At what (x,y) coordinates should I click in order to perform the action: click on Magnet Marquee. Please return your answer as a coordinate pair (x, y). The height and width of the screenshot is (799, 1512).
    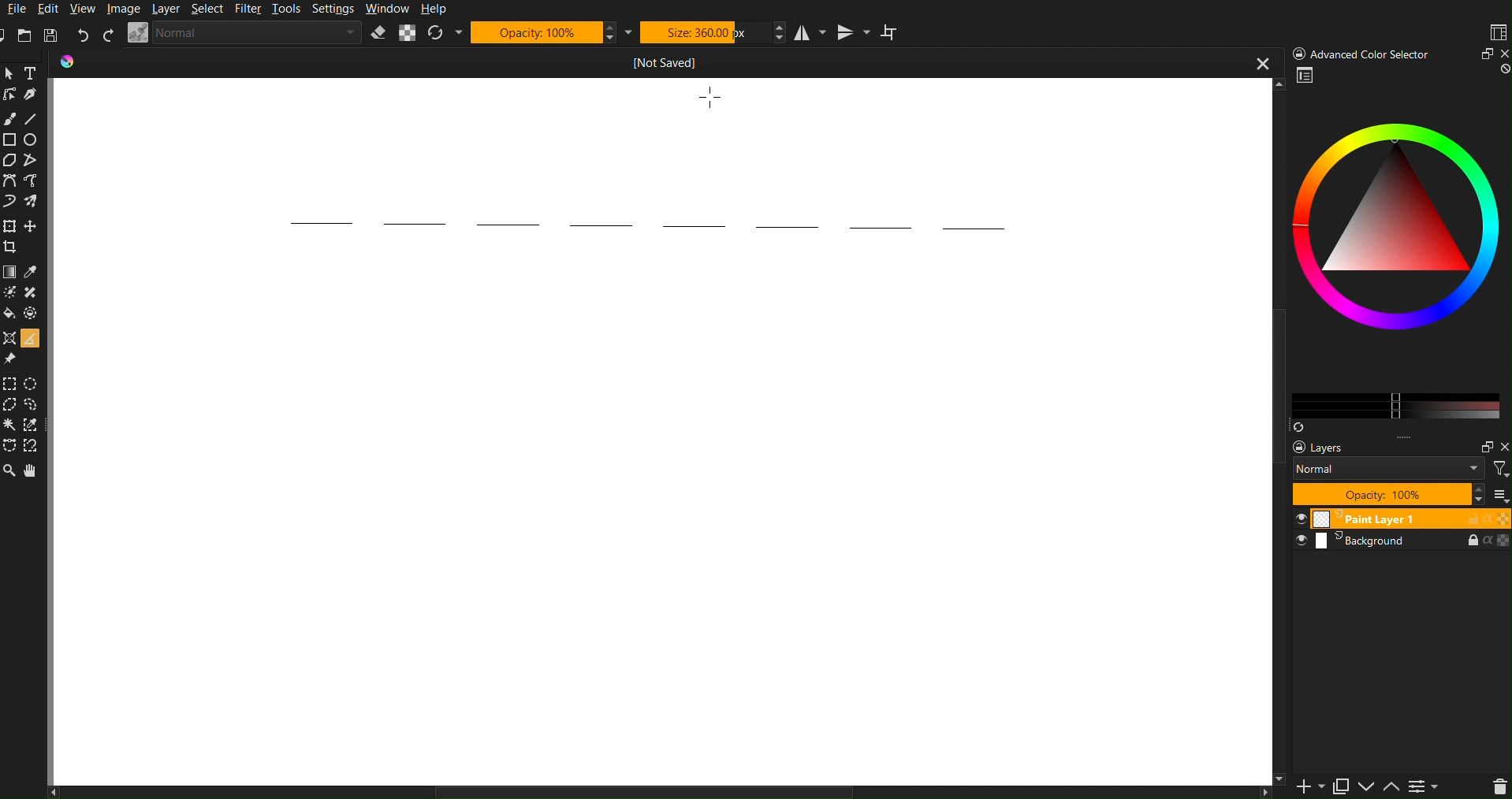
    Looking at the image, I should click on (32, 448).